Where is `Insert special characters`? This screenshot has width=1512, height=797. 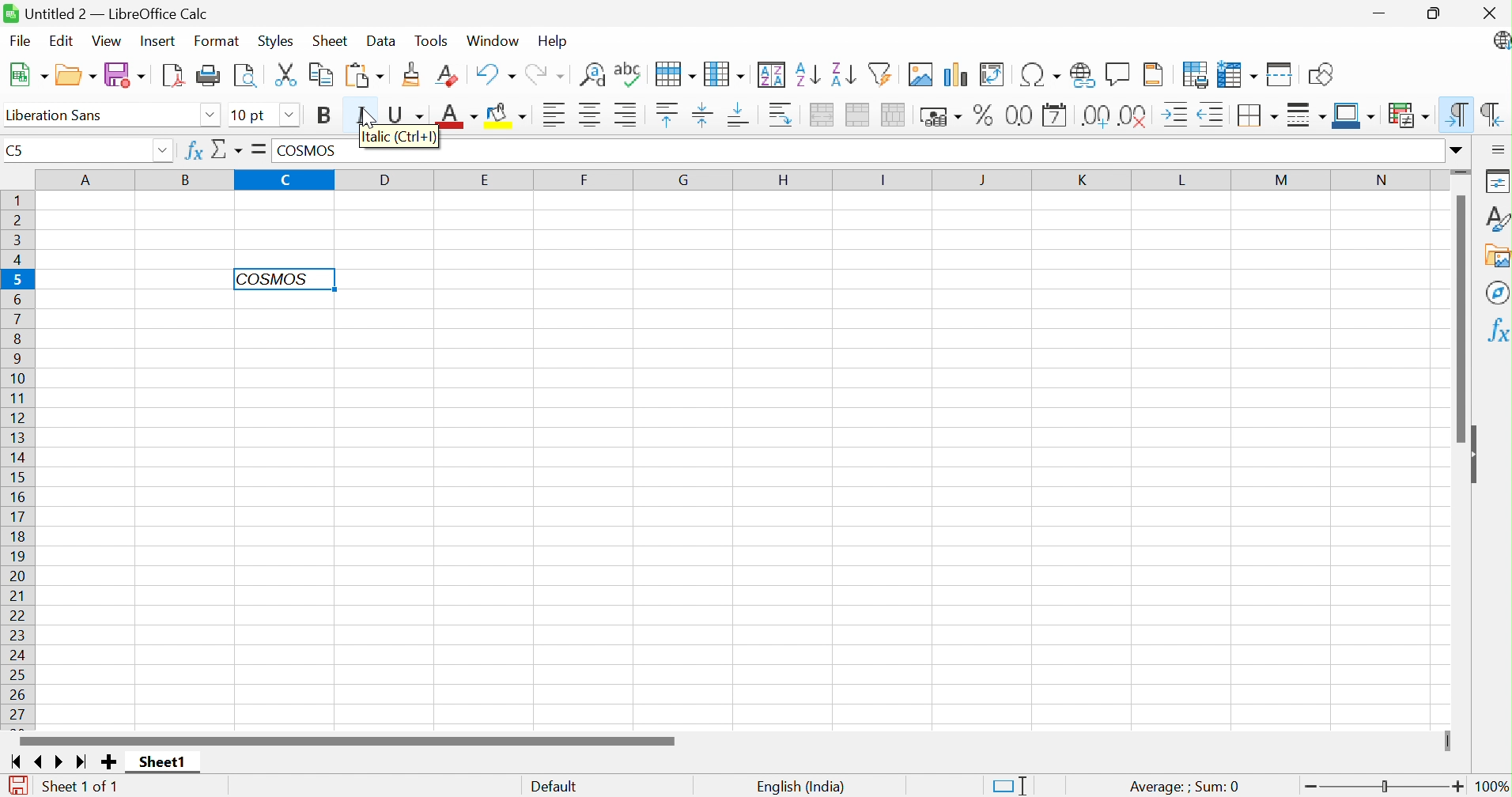 Insert special characters is located at coordinates (1040, 74).